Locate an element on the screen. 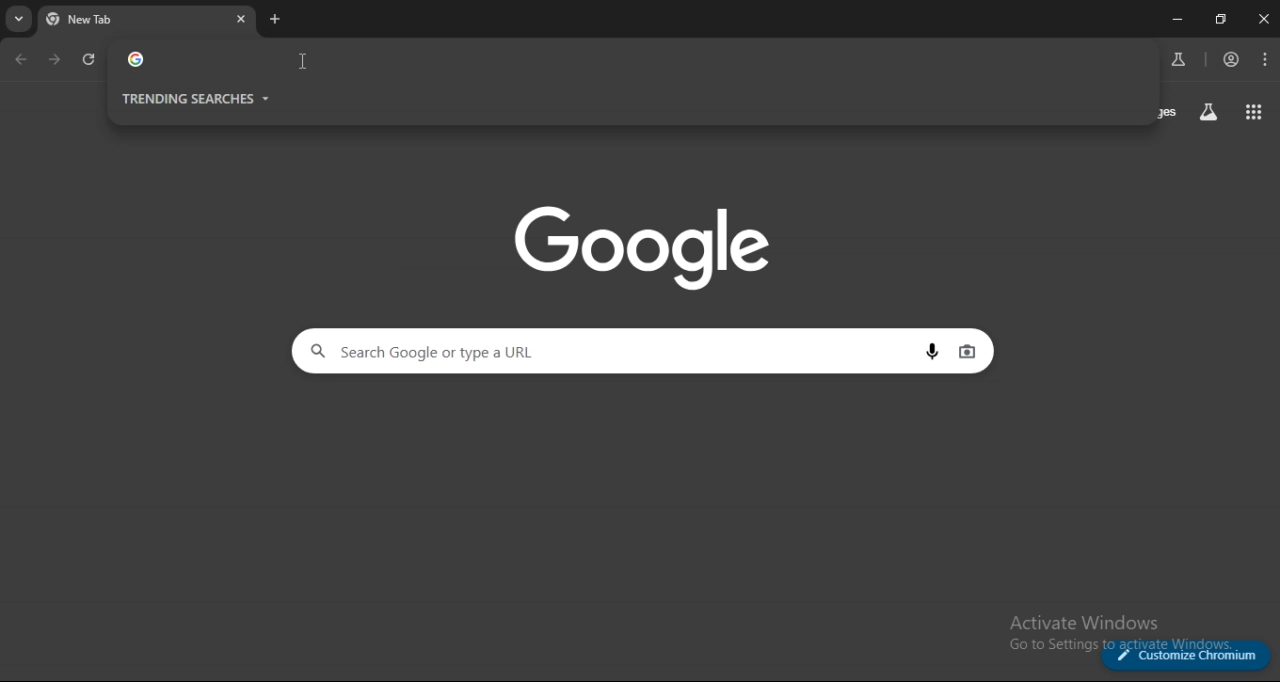 The image size is (1280, 682). search labs is located at coordinates (1178, 59).